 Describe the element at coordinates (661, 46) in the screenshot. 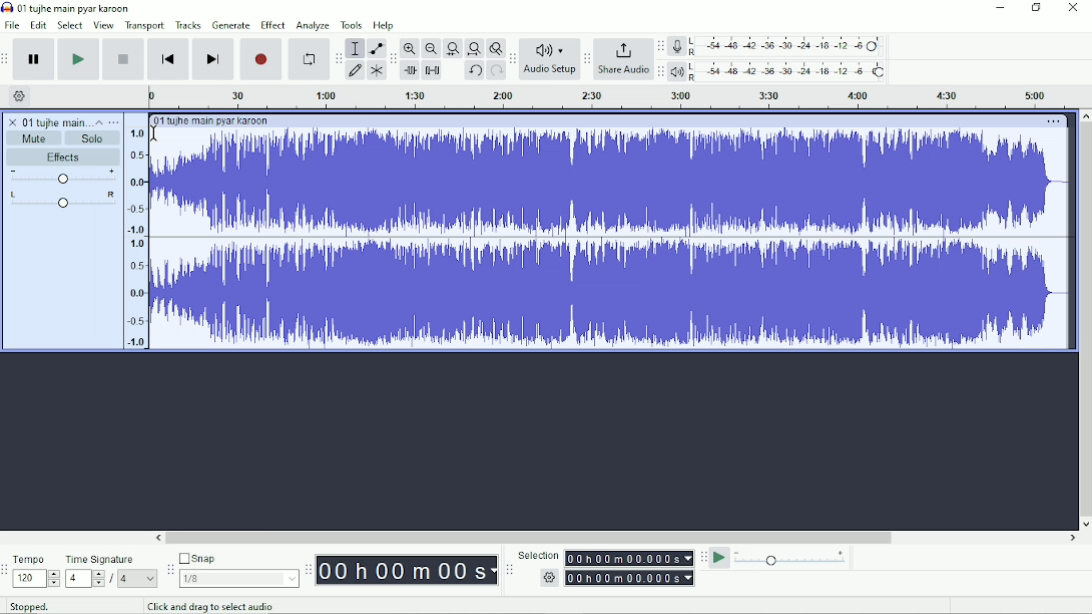

I see `Audacity recording meter toolbar` at that location.